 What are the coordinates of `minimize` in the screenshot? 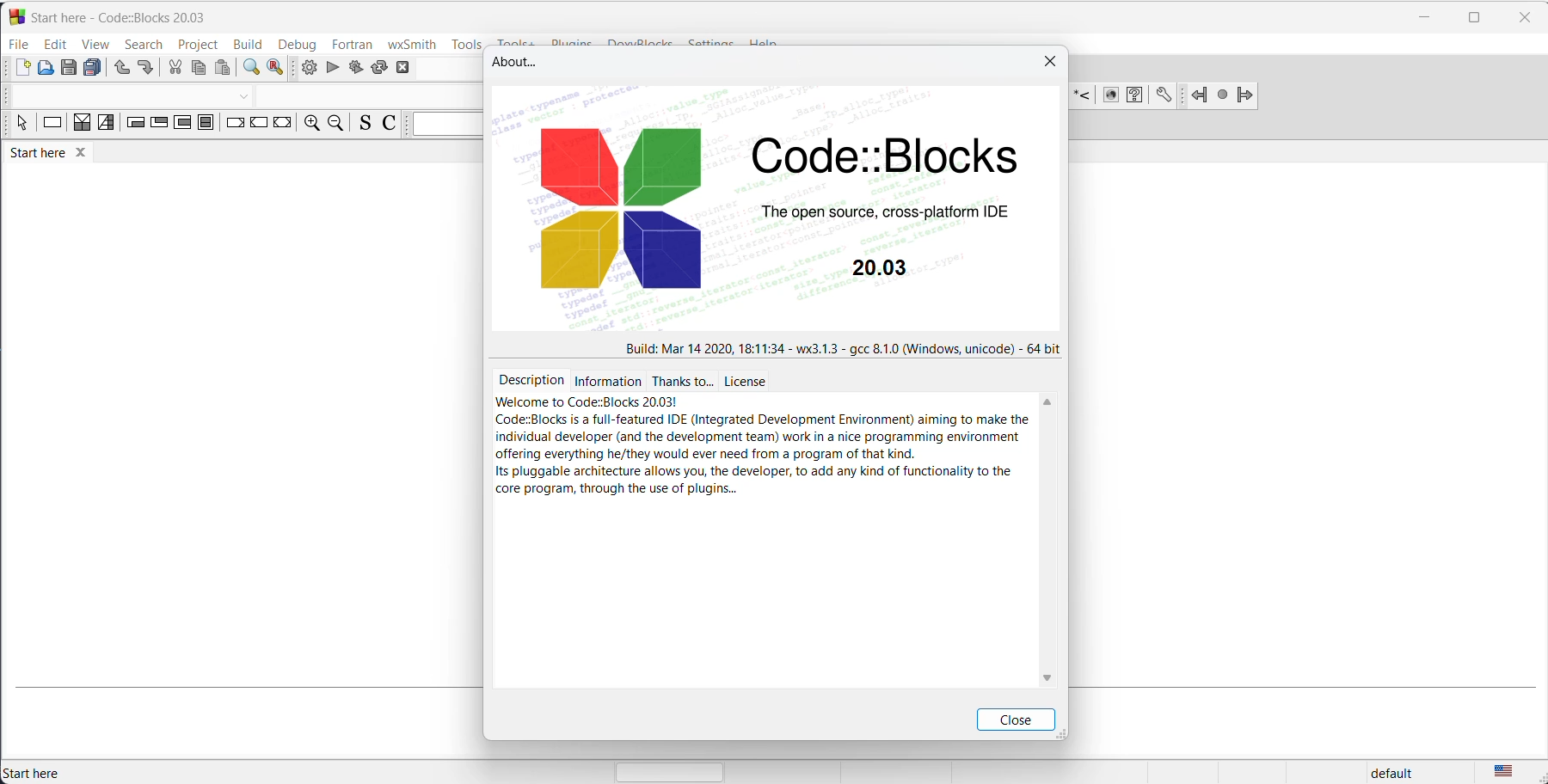 It's located at (1423, 16).